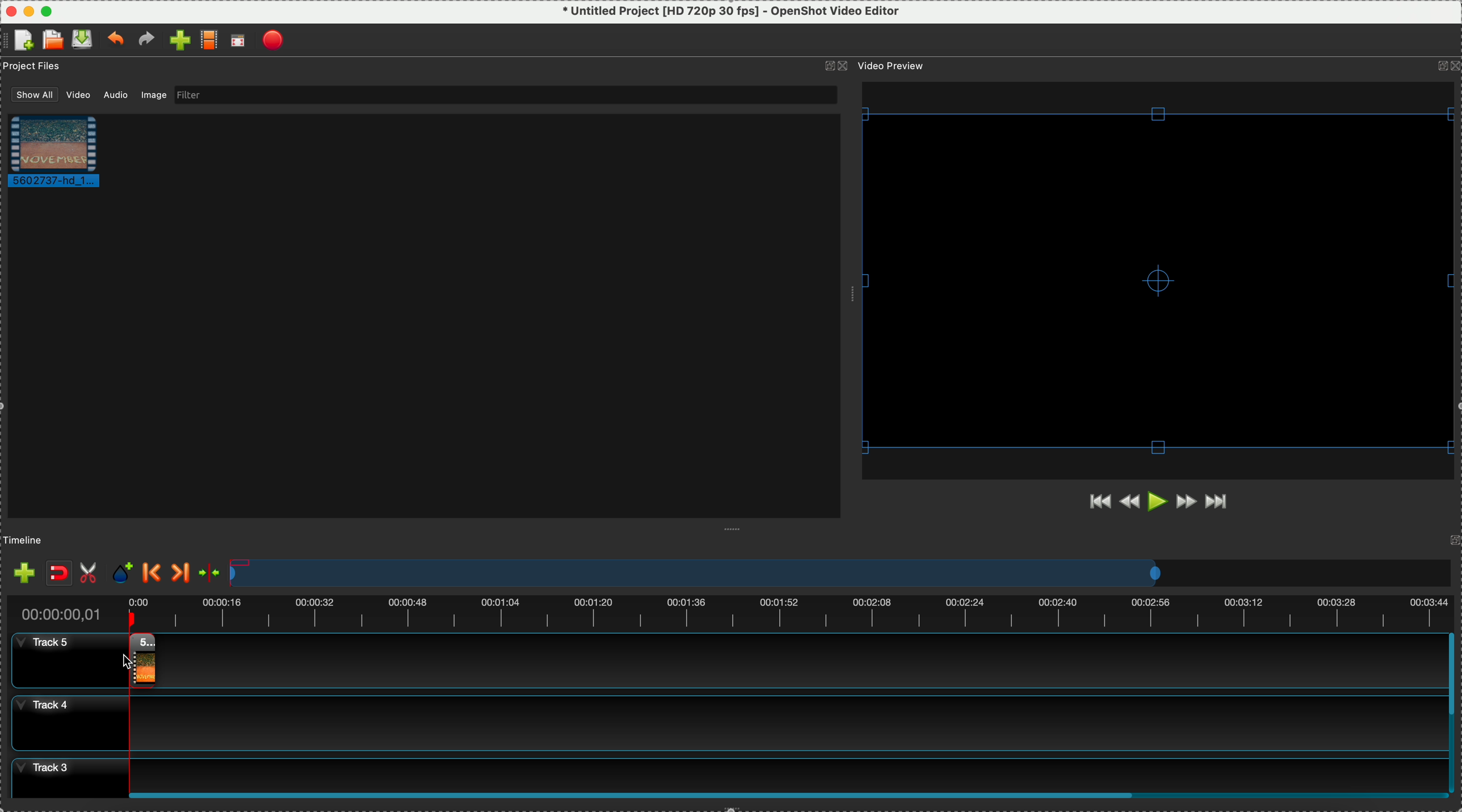 This screenshot has height=812, width=1462. I want to click on play, so click(1158, 502).